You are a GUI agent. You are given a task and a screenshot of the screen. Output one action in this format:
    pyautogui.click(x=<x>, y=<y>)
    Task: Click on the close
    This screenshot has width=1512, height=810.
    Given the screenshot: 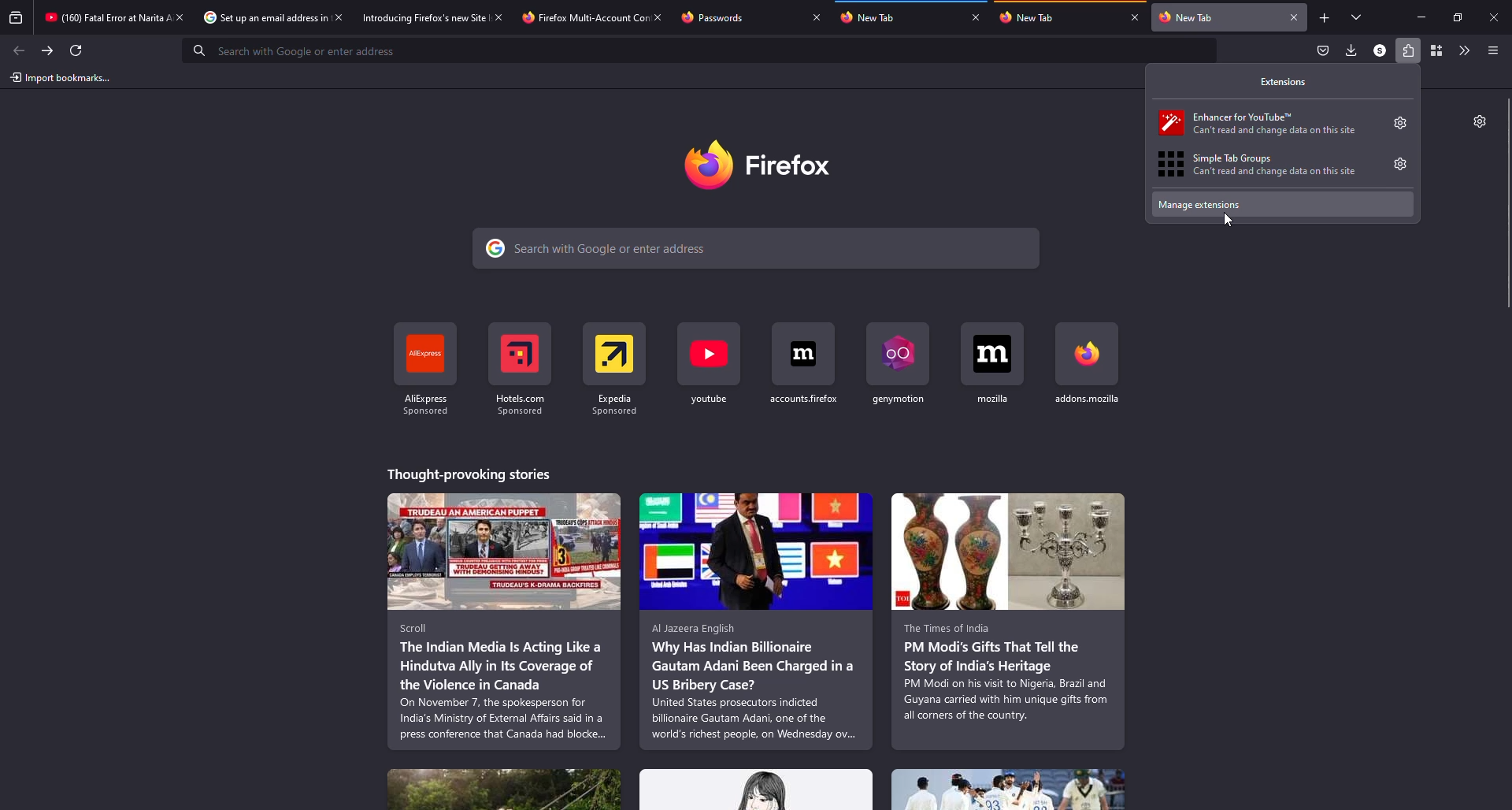 What is the action you would take?
    pyautogui.click(x=498, y=17)
    